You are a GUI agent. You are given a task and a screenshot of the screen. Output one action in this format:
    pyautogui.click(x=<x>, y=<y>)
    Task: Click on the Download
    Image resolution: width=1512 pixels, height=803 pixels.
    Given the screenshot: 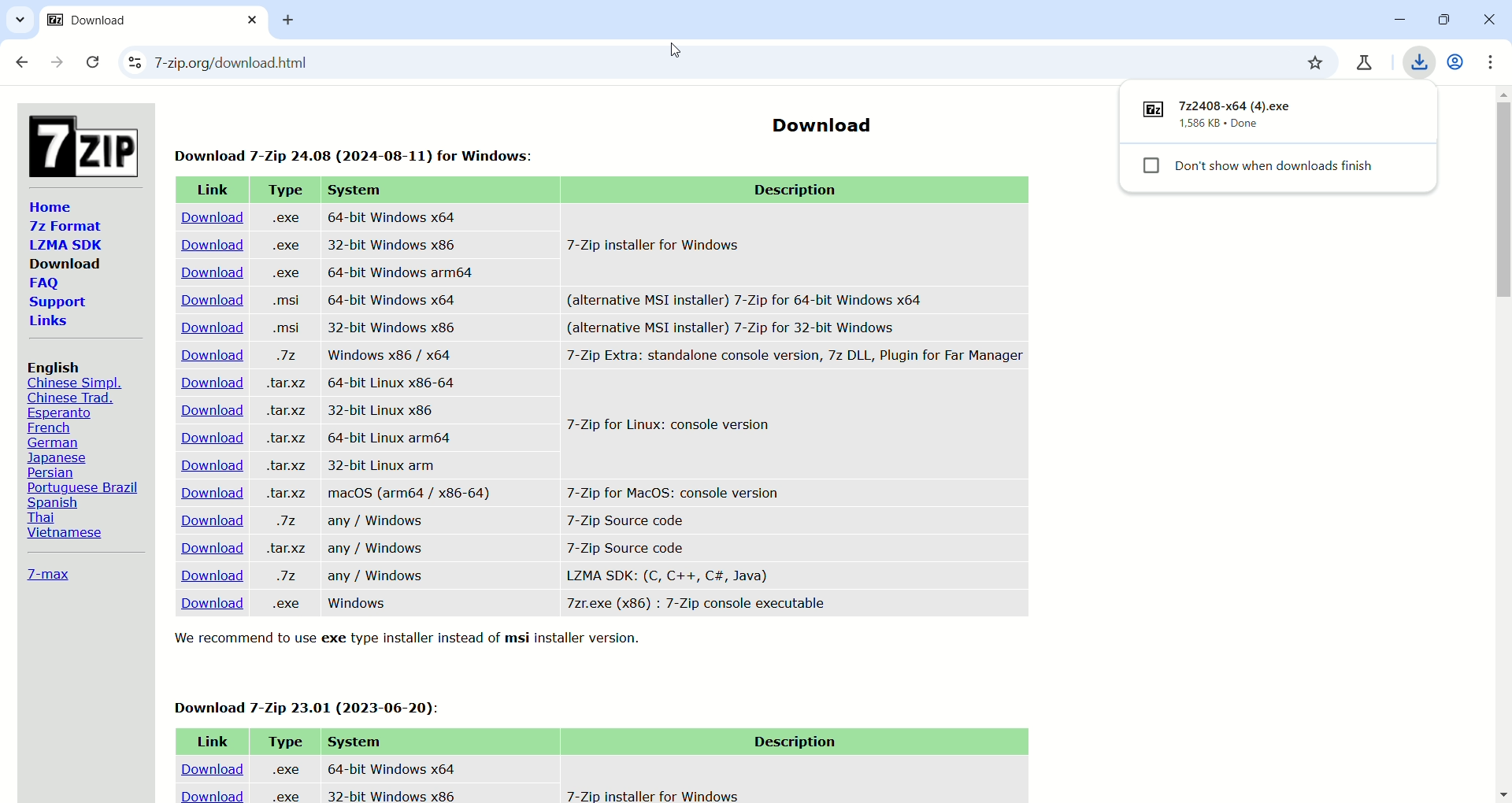 What is the action you would take?
    pyautogui.click(x=202, y=327)
    